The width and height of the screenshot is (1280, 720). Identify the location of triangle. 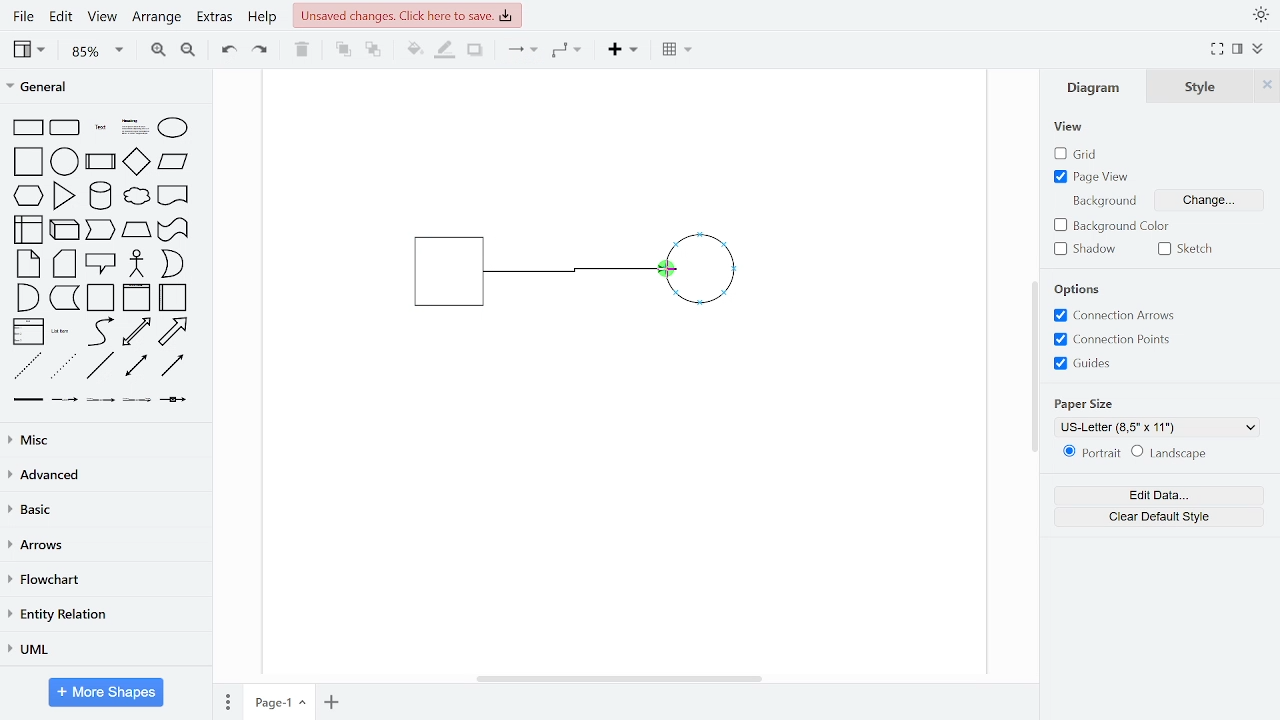
(65, 195).